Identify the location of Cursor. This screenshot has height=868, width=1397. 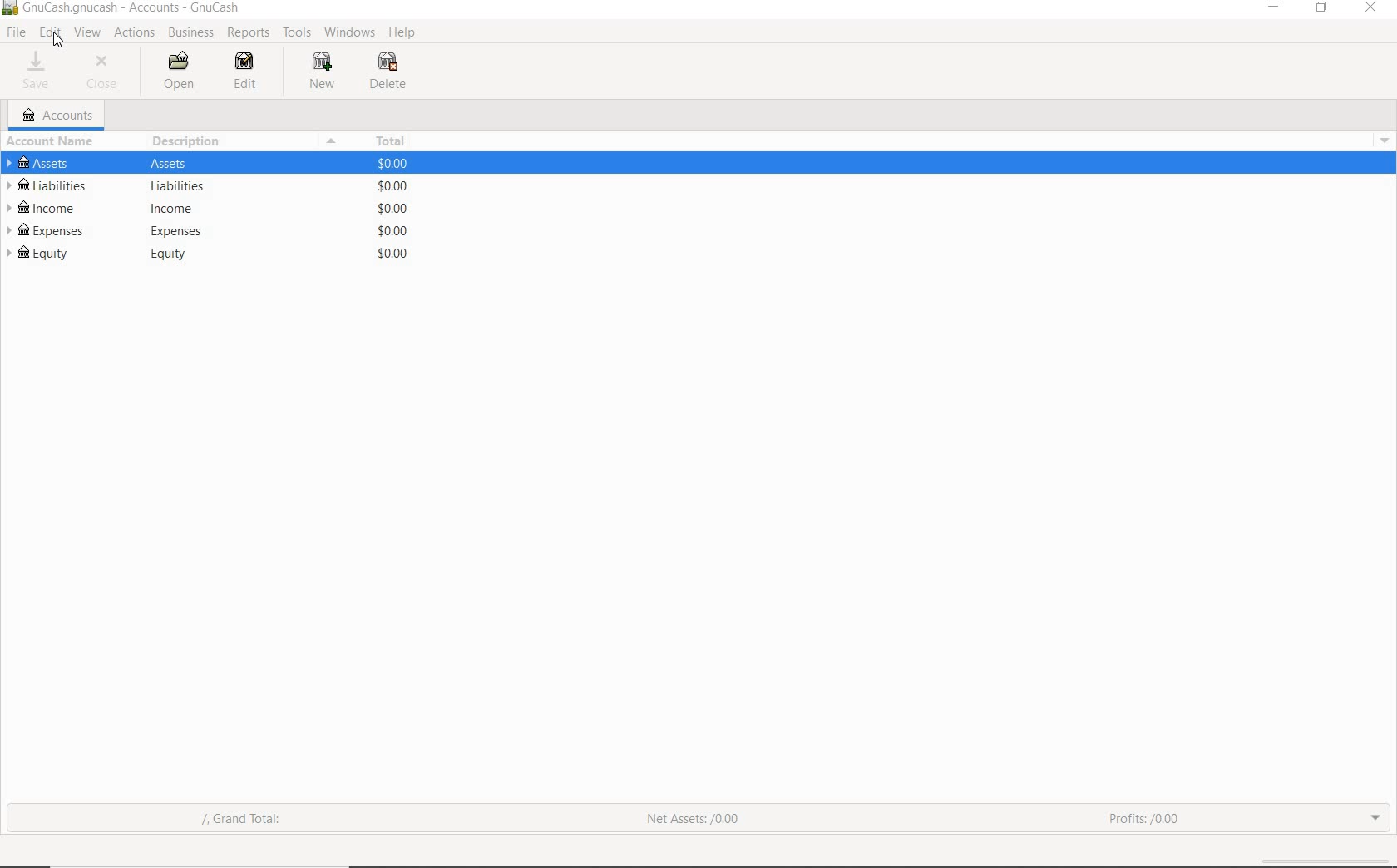
(59, 40).